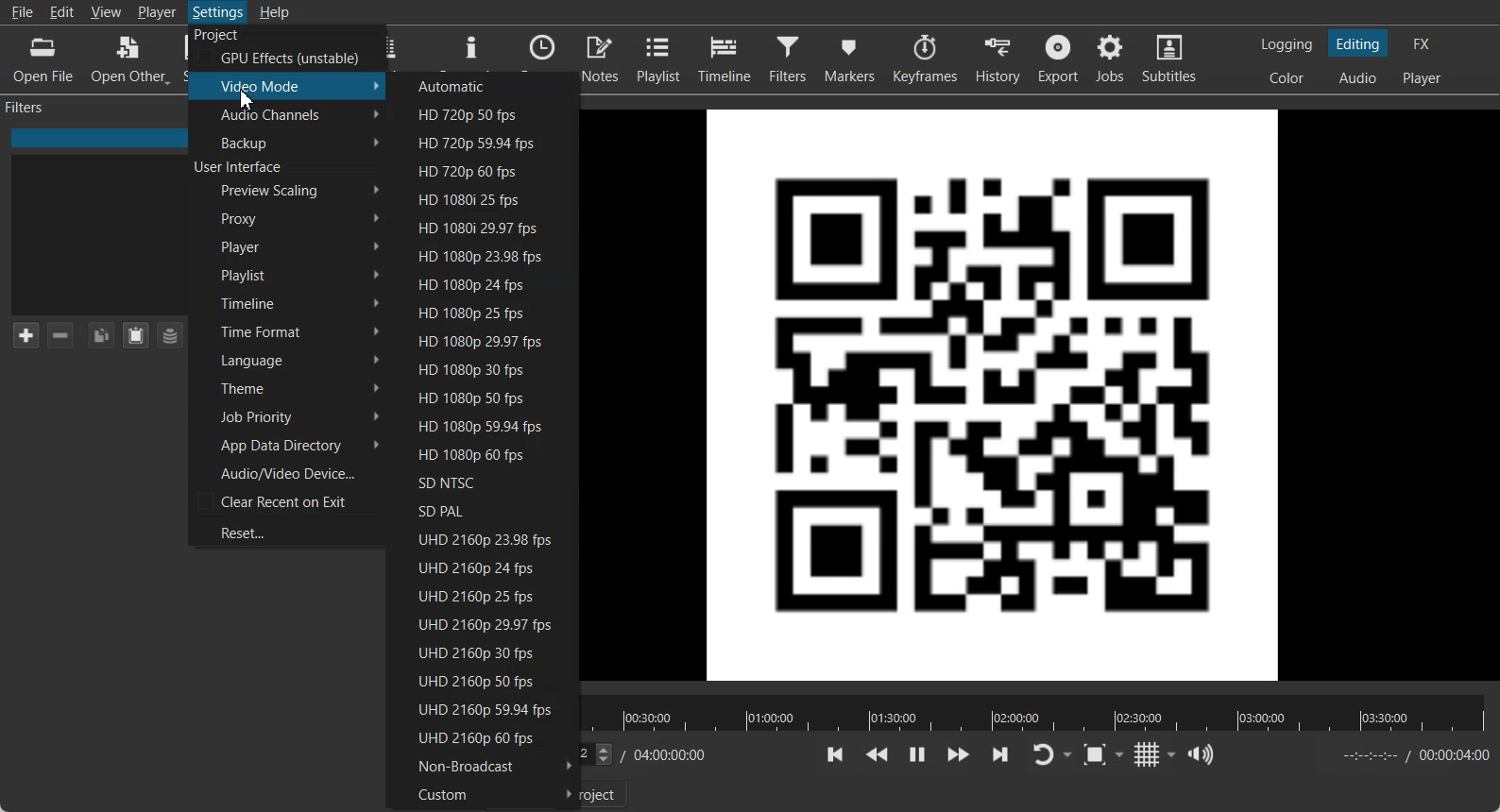 This screenshot has width=1500, height=812. Describe the element at coordinates (472, 482) in the screenshot. I see `SD NTSC` at that location.